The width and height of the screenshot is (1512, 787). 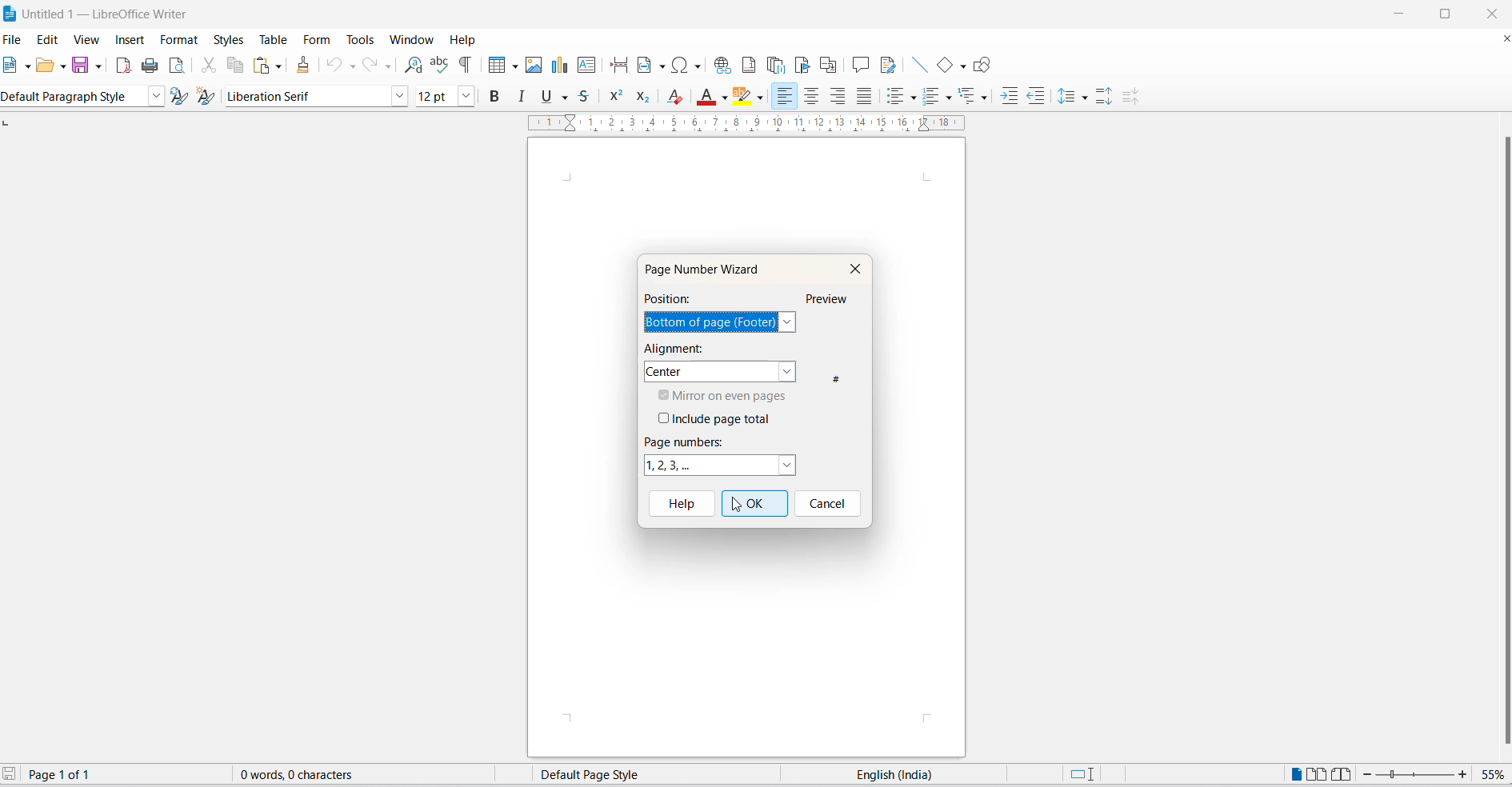 What do you see at coordinates (731, 394) in the screenshot?
I see `mirror on even changes ` at bounding box center [731, 394].